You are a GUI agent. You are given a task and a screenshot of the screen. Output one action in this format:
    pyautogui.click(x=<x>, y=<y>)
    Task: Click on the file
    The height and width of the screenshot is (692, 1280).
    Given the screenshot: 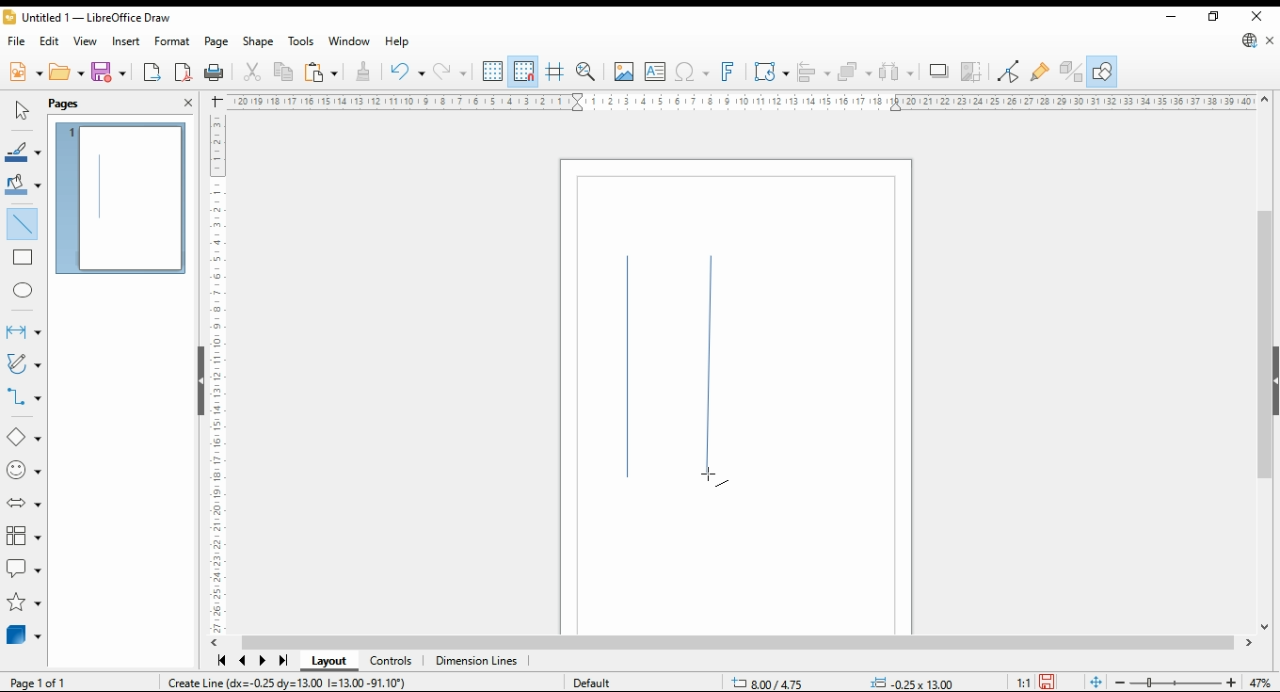 What is the action you would take?
    pyautogui.click(x=18, y=41)
    